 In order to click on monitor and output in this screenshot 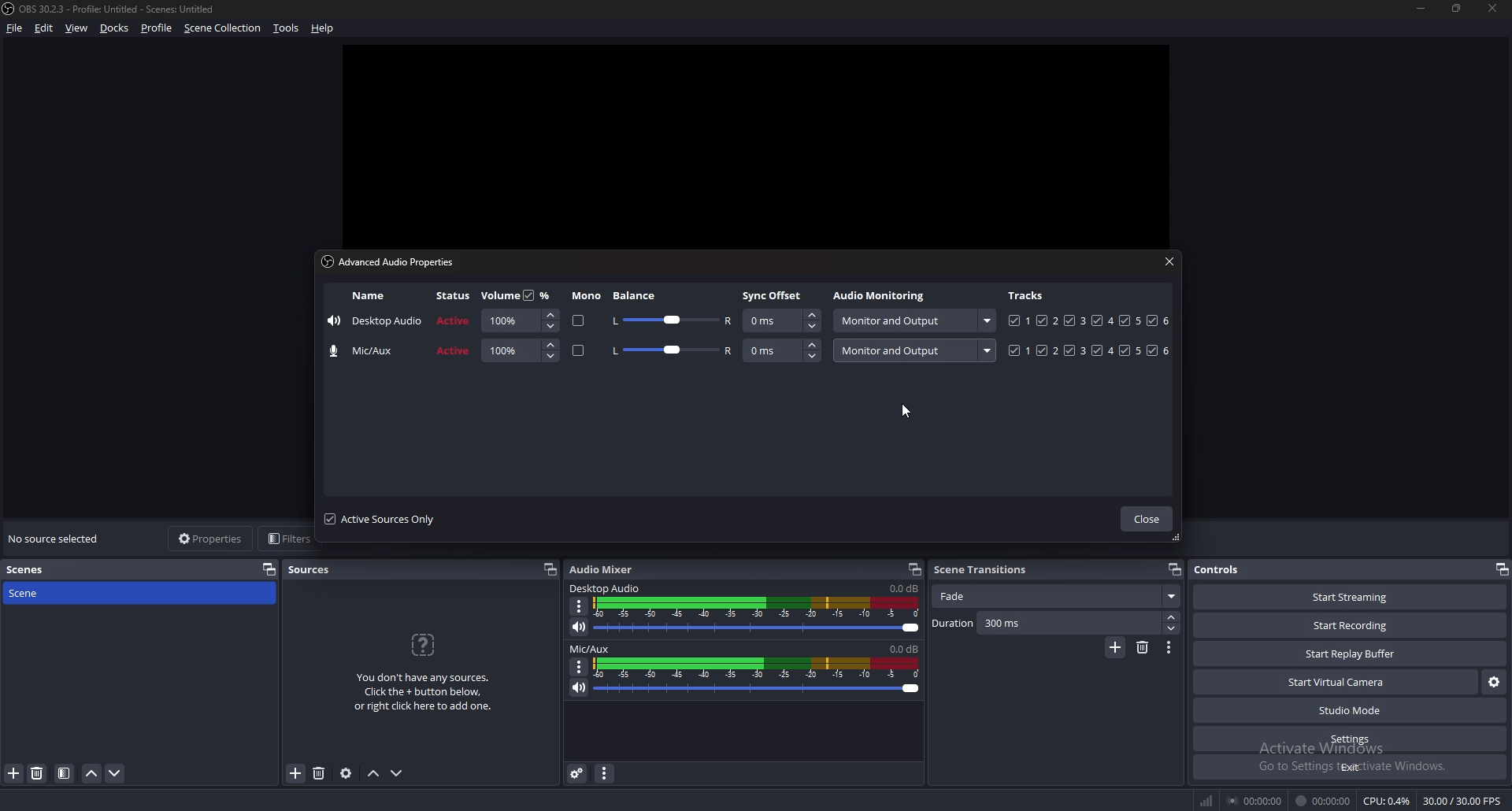, I will do `click(916, 320)`.